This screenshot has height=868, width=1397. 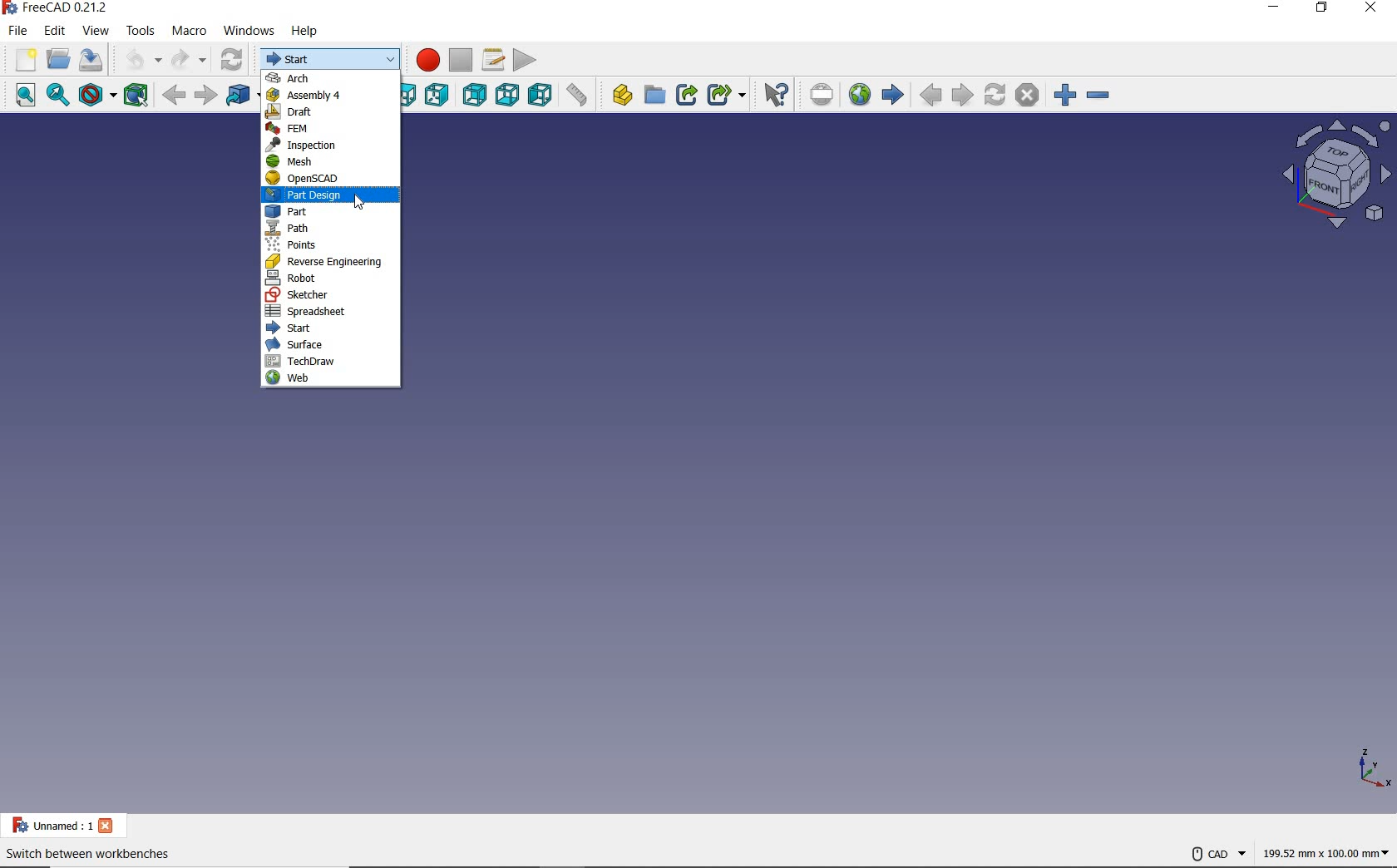 What do you see at coordinates (239, 94) in the screenshot?
I see `GO TO LINKED OBJECT` at bounding box center [239, 94].